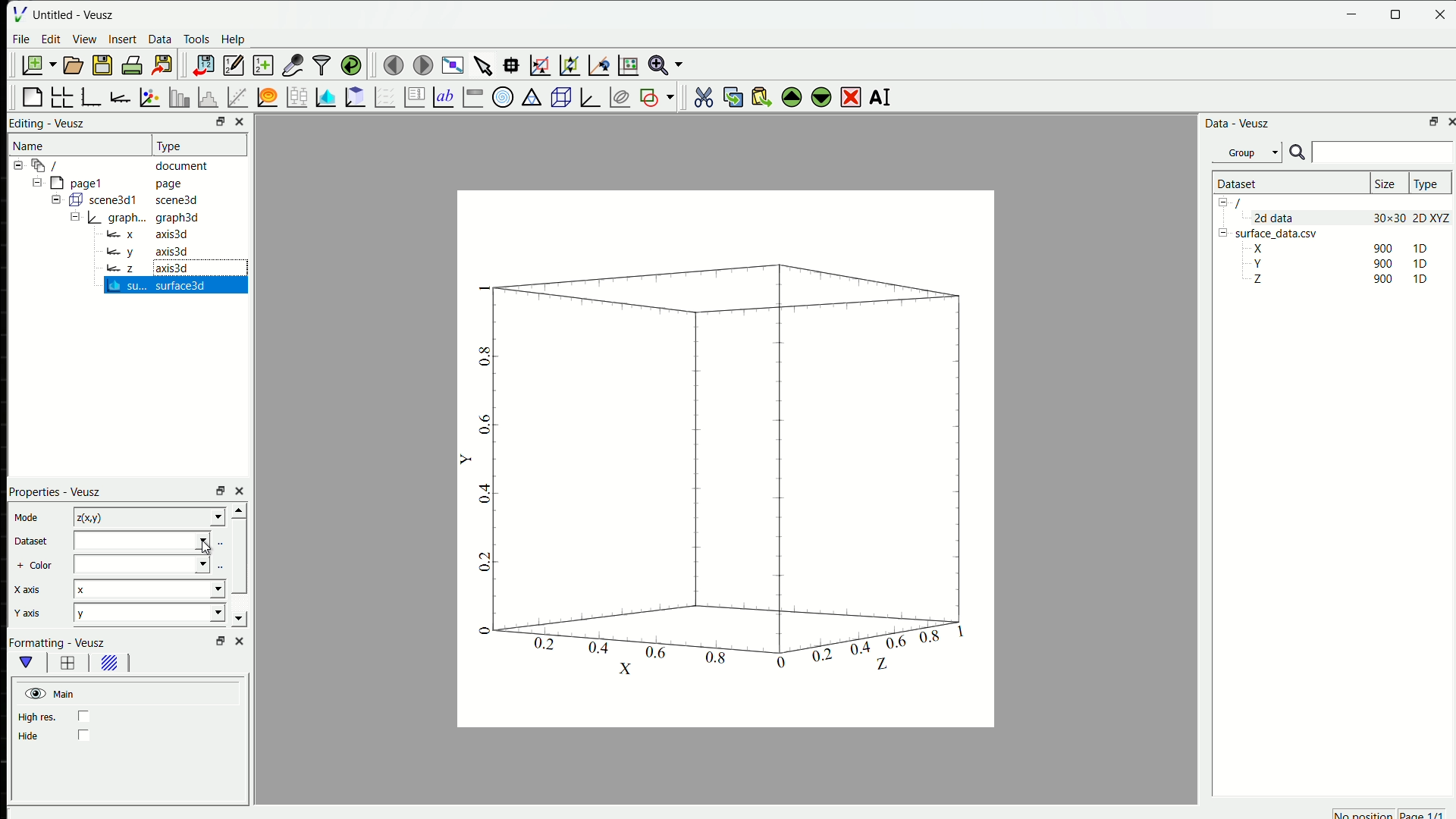 The height and width of the screenshot is (819, 1456). What do you see at coordinates (591, 96) in the screenshot?
I see `3D graph` at bounding box center [591, 96].